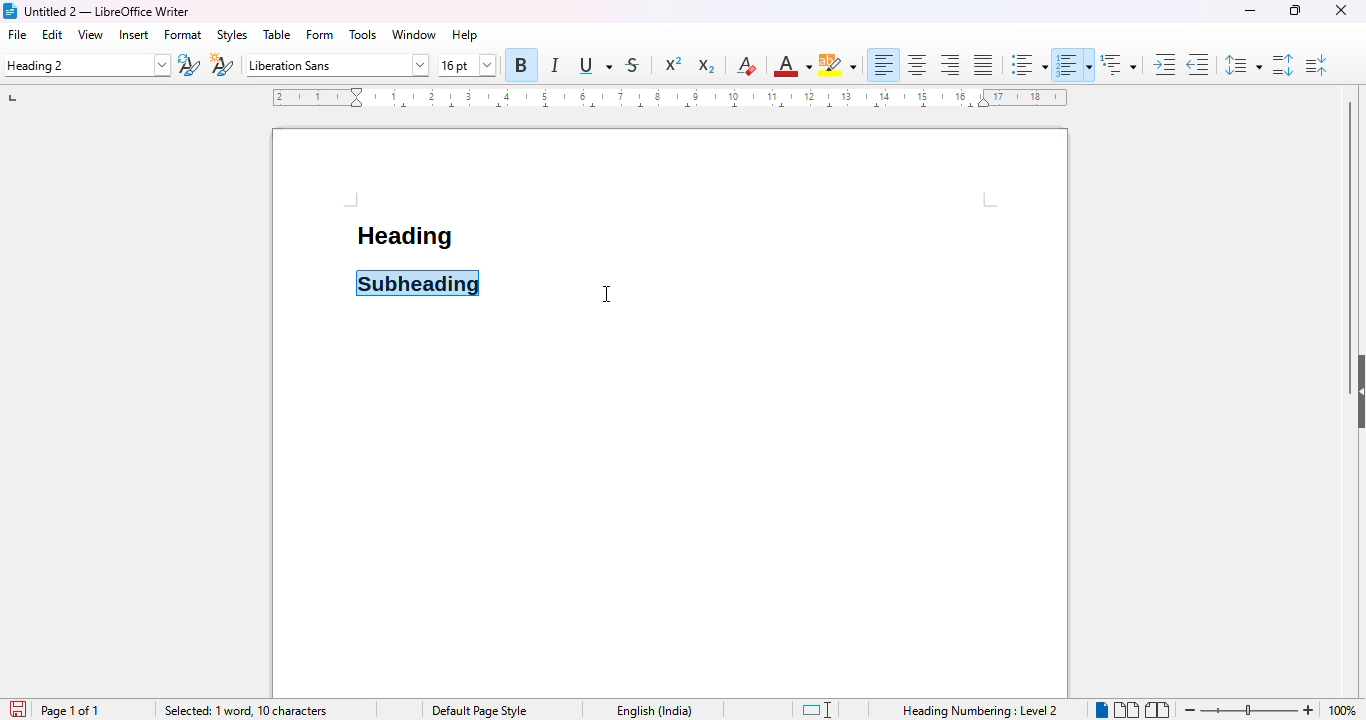  I want to click on superscript, so click(674, 63).